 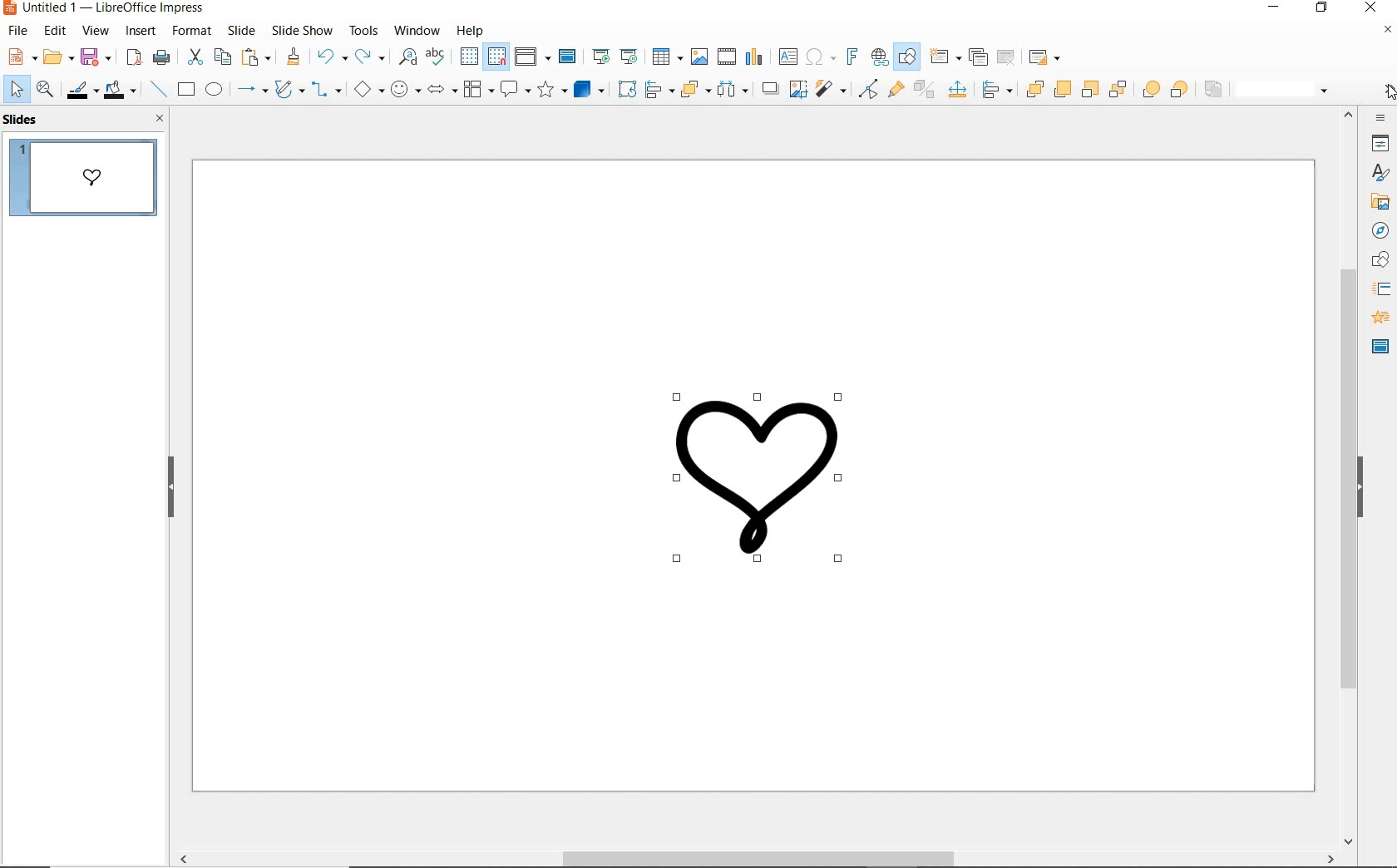 I want to click on MASTER SLIDE, so click(x=1380, y=348).